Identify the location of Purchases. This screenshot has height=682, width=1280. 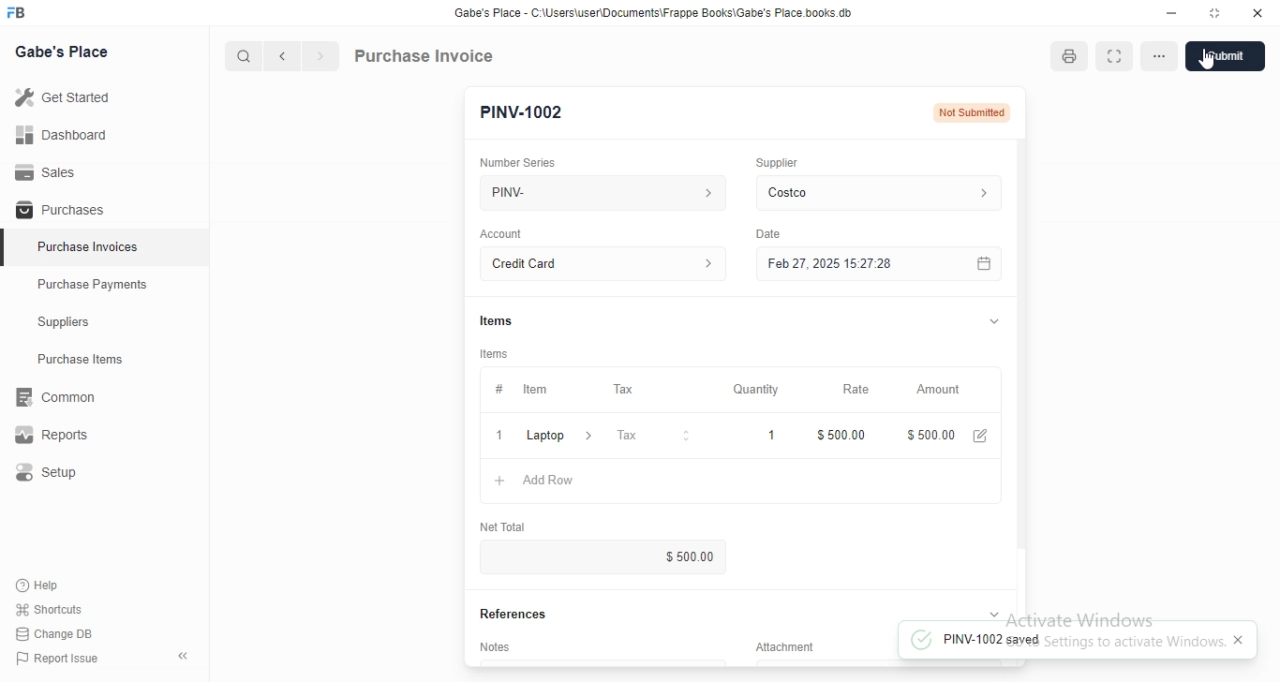
(104, 208).